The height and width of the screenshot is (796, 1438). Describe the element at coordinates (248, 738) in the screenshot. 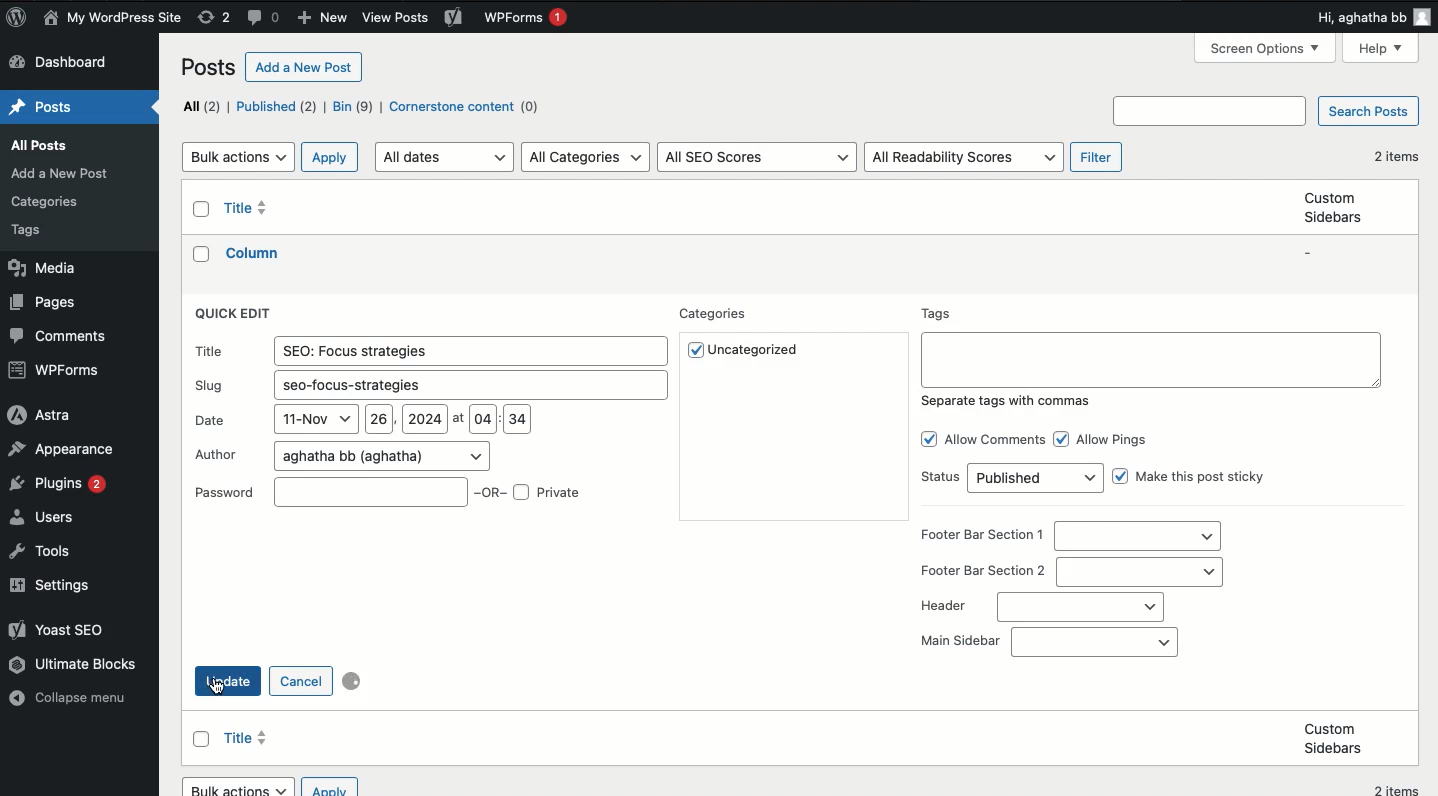

I see `Title` at that location.